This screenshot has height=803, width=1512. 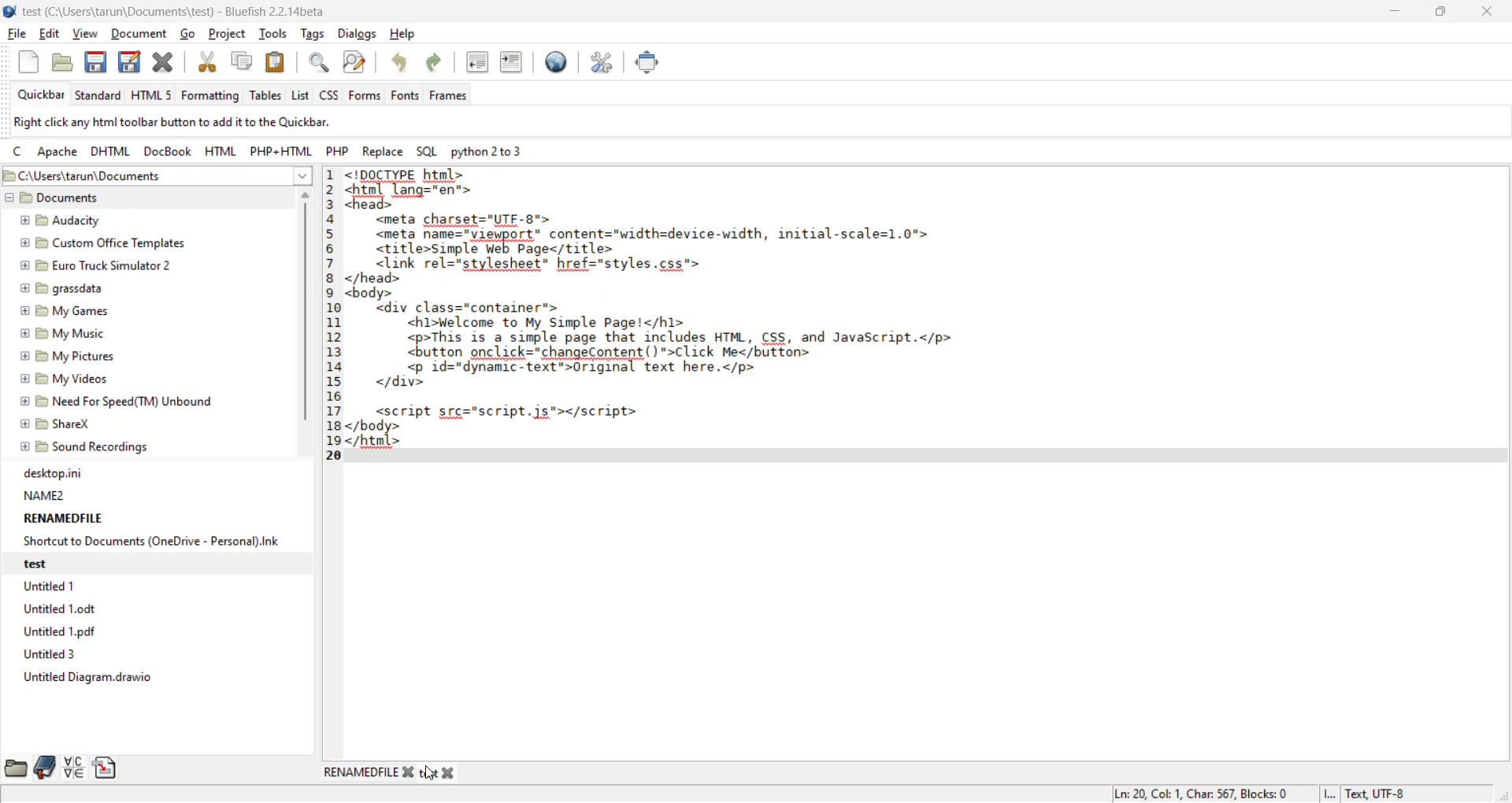 I want to click on save, so click(x=95, y=63).